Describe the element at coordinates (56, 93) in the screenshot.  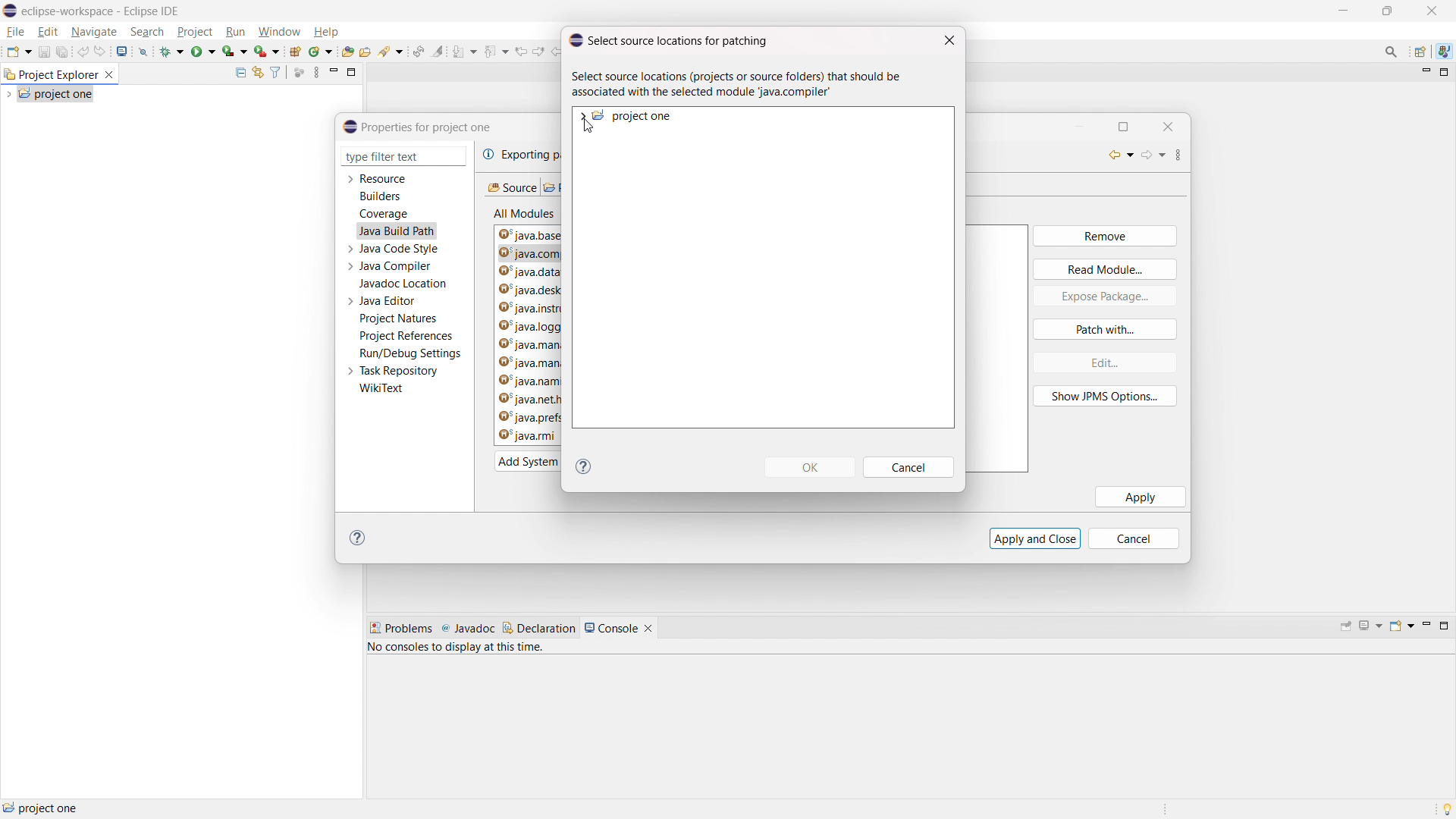
I see `project one` at that location.